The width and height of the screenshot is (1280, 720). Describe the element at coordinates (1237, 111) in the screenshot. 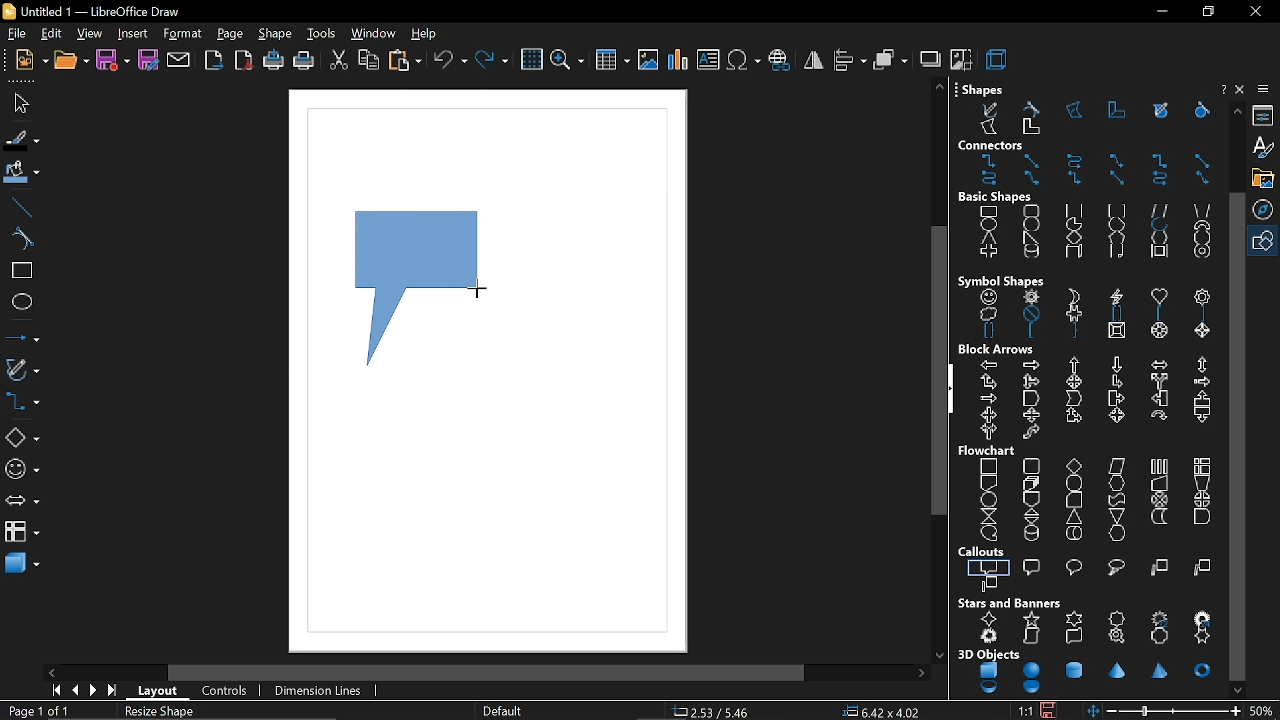

I see `move up` at that location.